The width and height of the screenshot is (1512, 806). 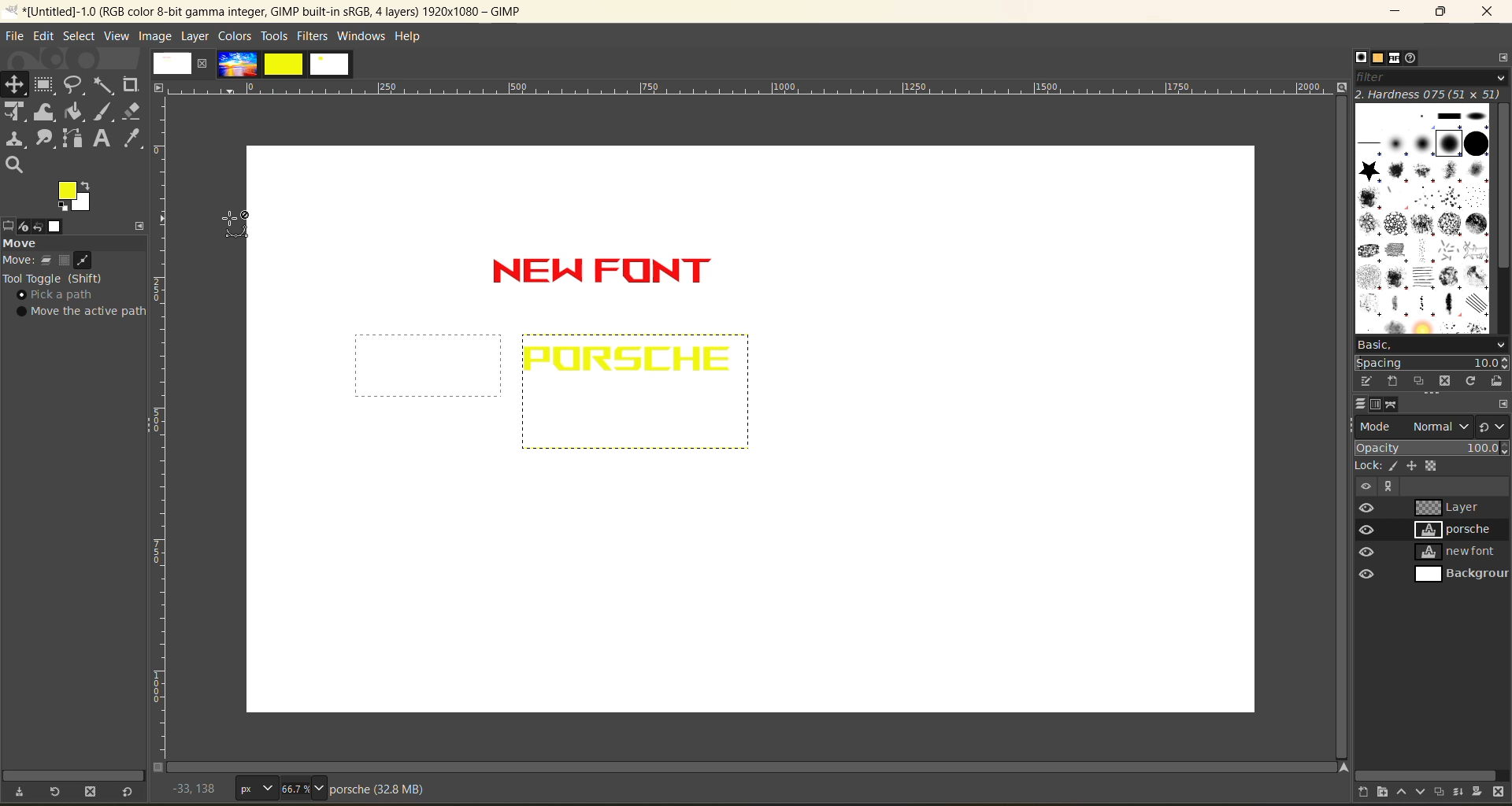 I want to click on paint bucket, so click(x=74, y=111).